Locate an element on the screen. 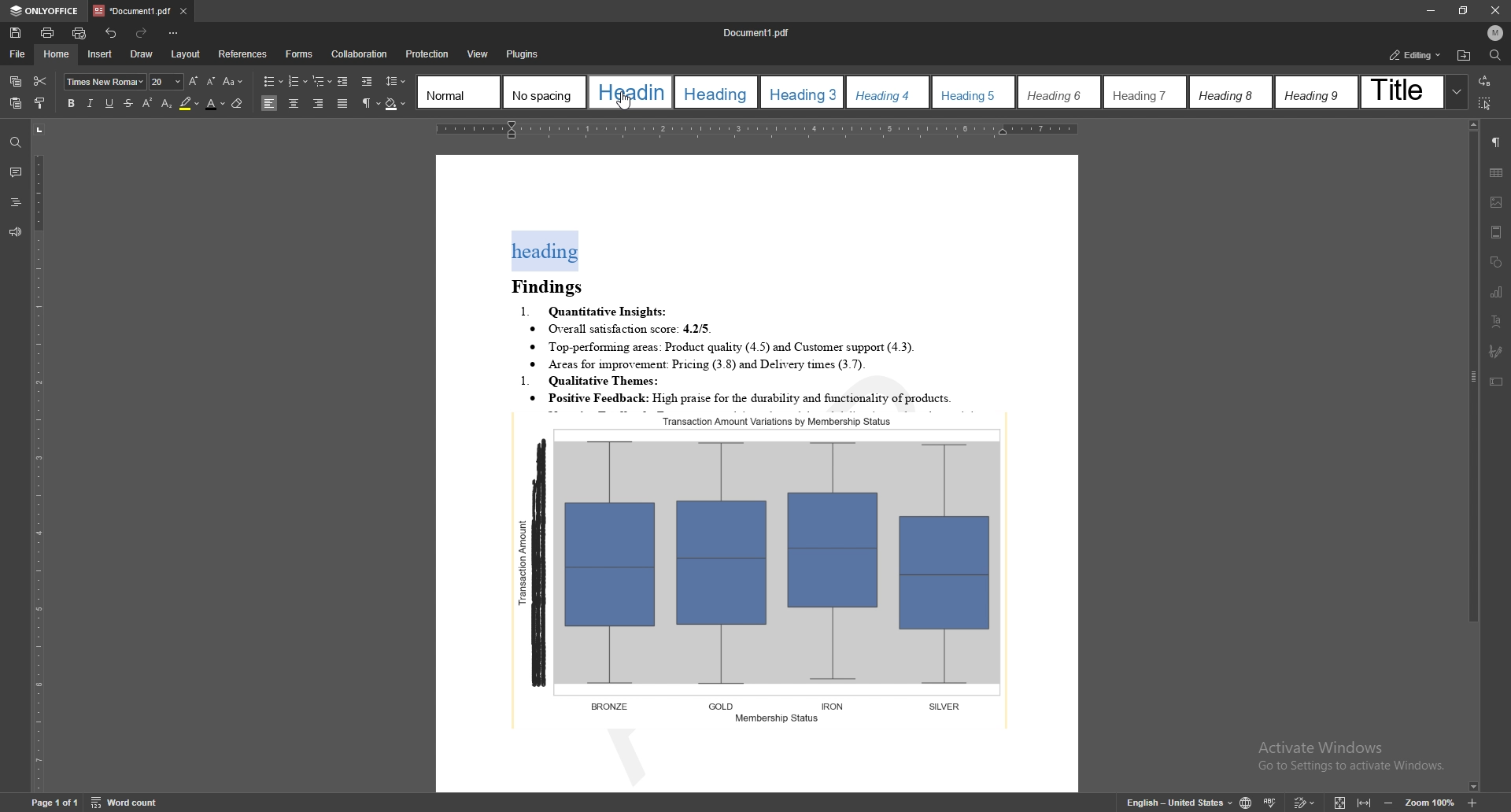 This screenshot has height=812, width=1511. ® Overall satisfaction score: 4.2/5. is located at coordinates (623, 327).